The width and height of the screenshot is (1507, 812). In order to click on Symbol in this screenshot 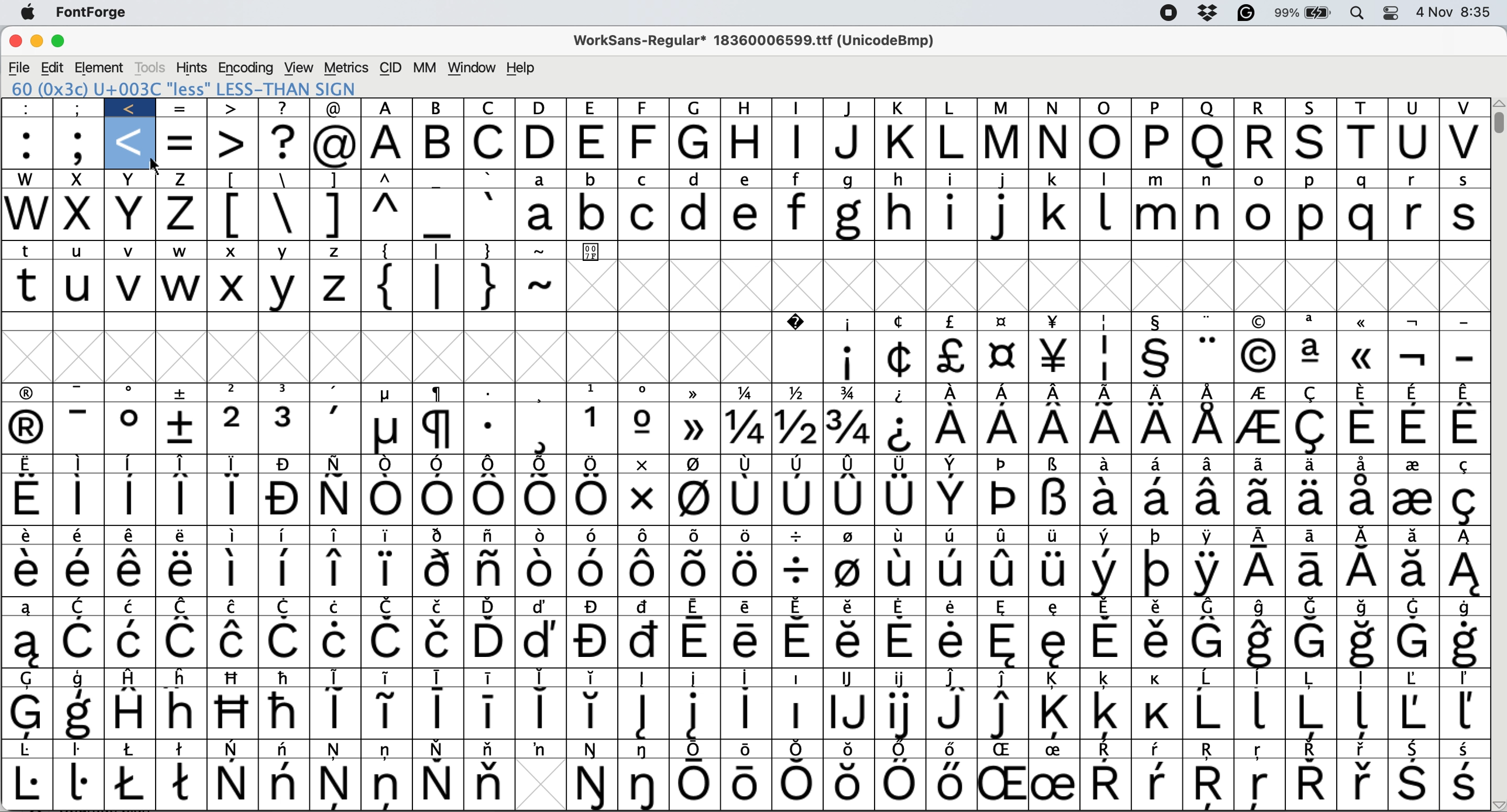, I will do `click(132, 783)`.